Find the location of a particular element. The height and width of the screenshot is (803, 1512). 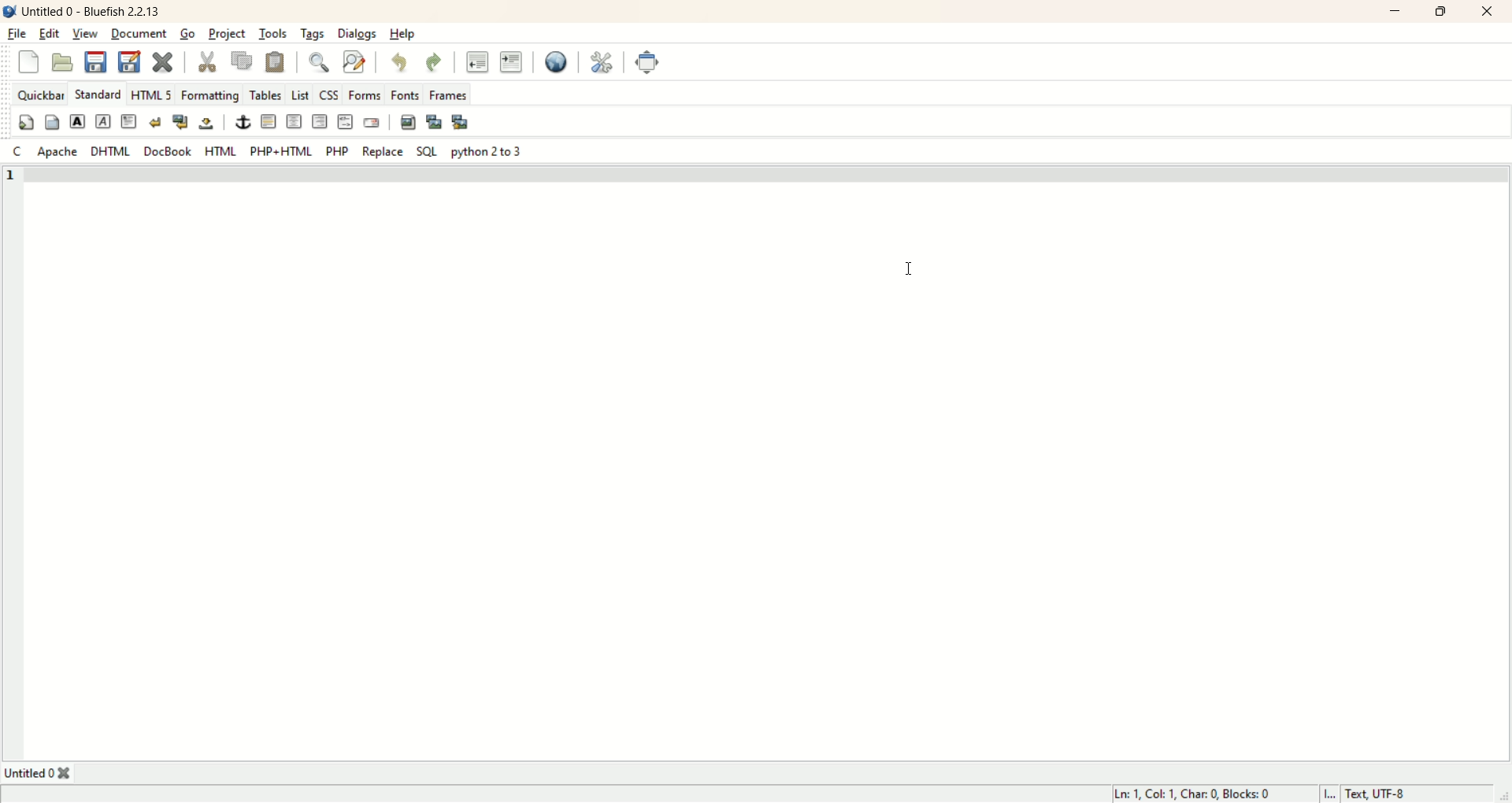

strong is located at coordinates (76, 121).